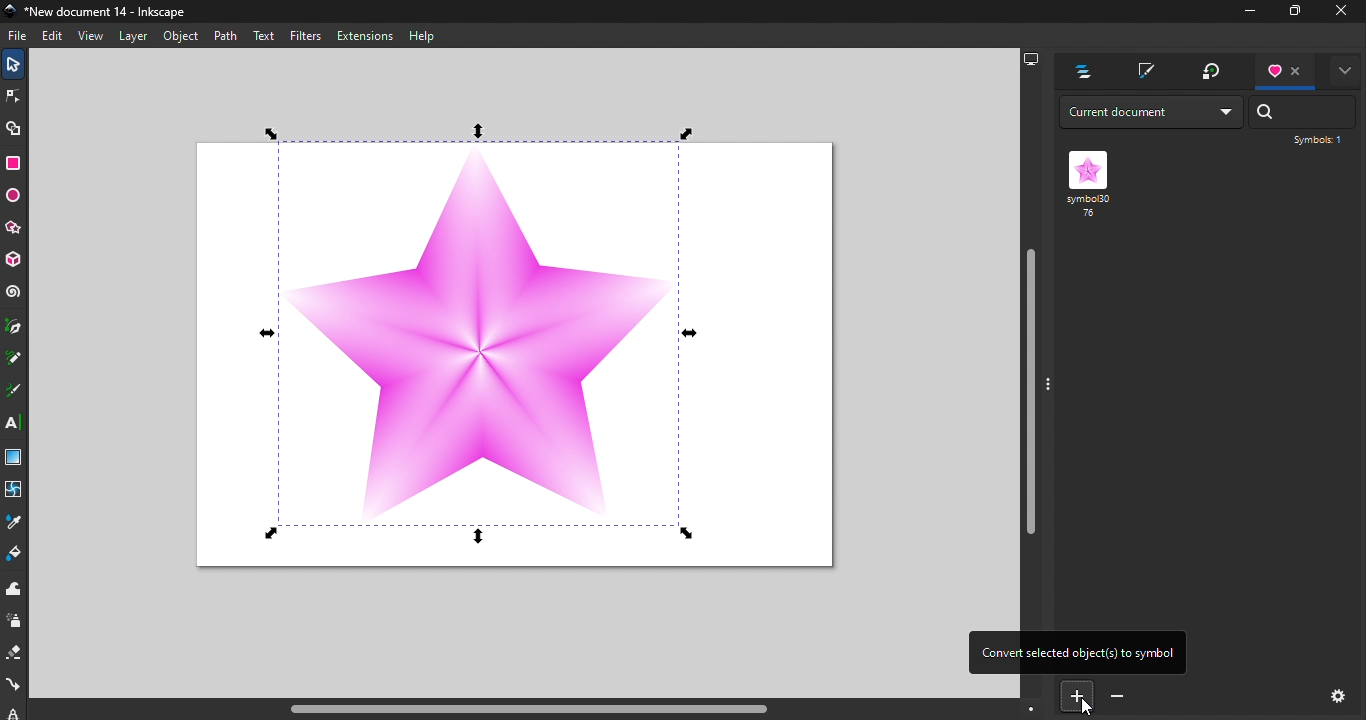 This screenshot has width=1366, height=720. What do you see at coordinates (16, 294) in the screenshot?
I see `Spiral tool` at bounding box center [16, 294].